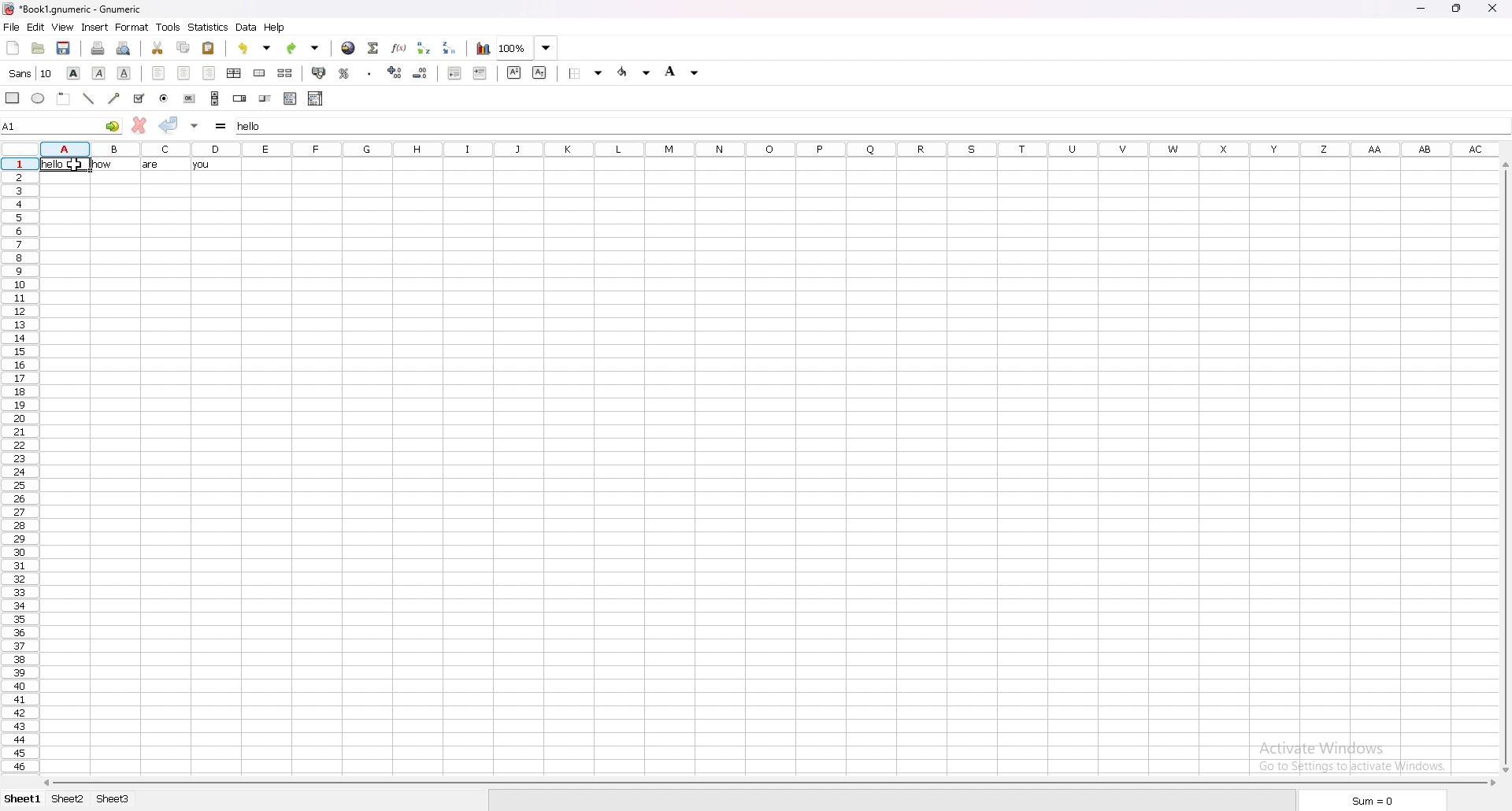 The width and height of the screenshot is (1512, 811). I want to click on chart, so click(484, 48).